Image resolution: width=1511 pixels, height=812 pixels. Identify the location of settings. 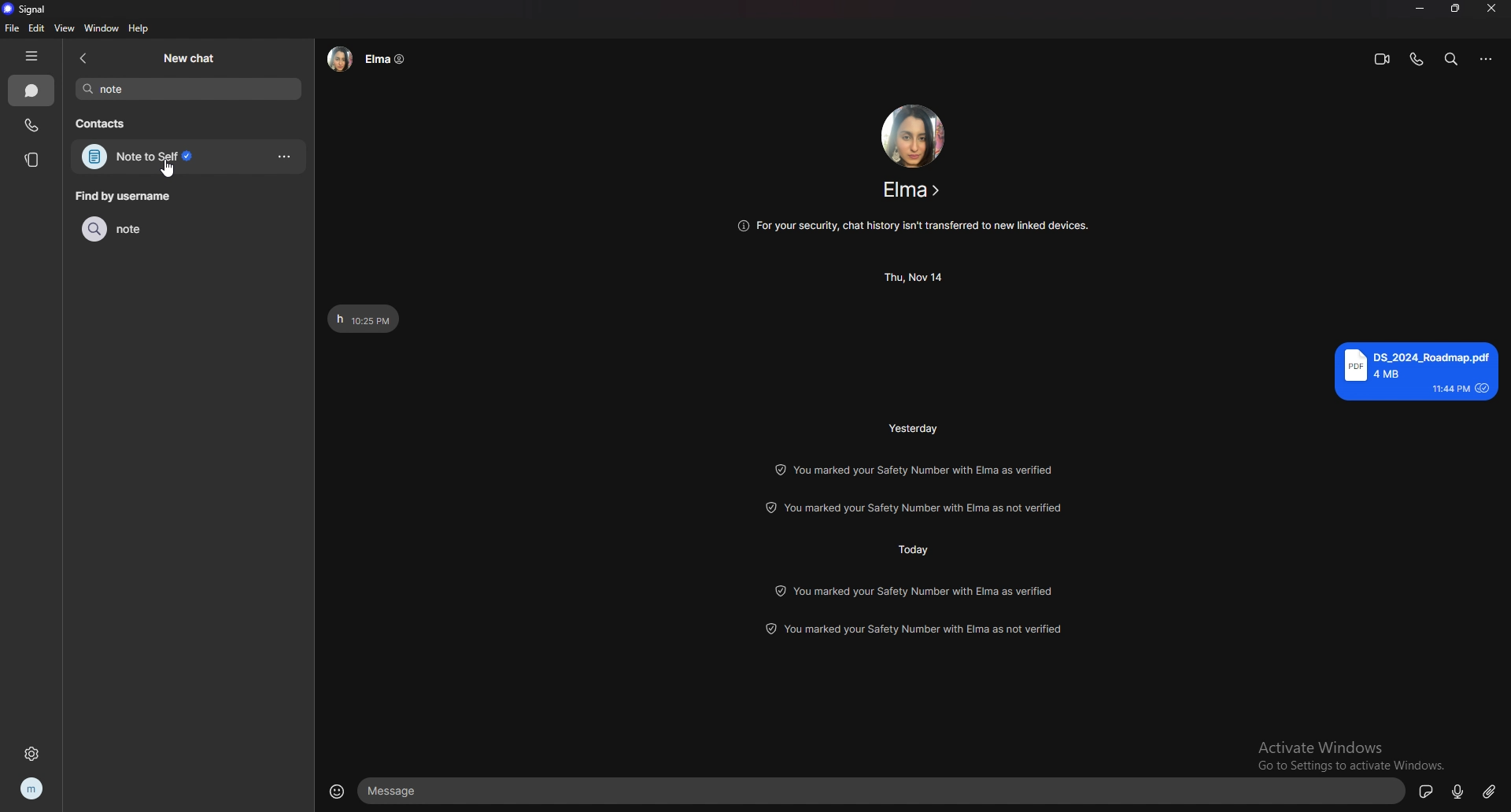
(31, 753).